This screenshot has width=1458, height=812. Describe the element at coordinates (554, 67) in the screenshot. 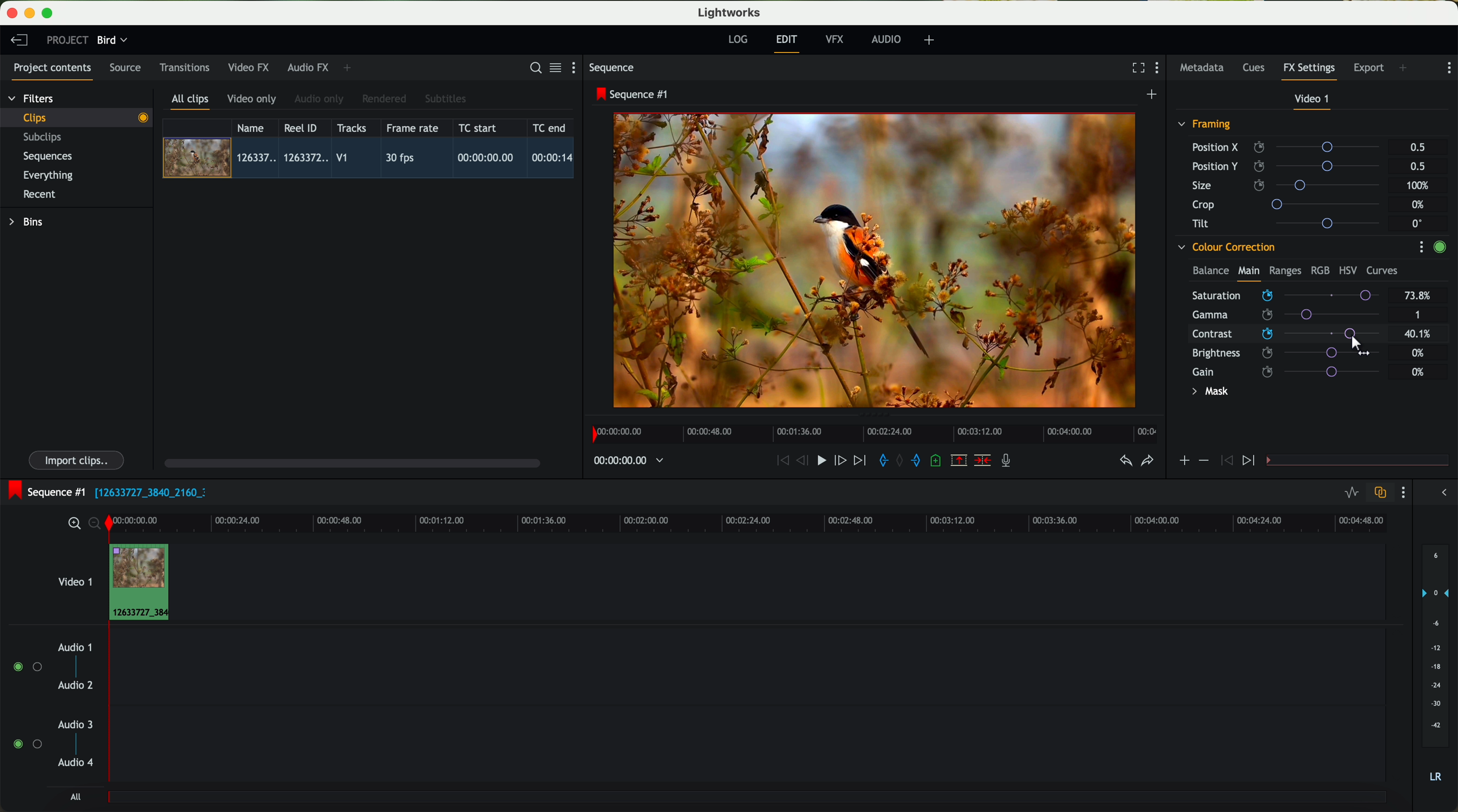

I see `toggle between list and title view` at that location.